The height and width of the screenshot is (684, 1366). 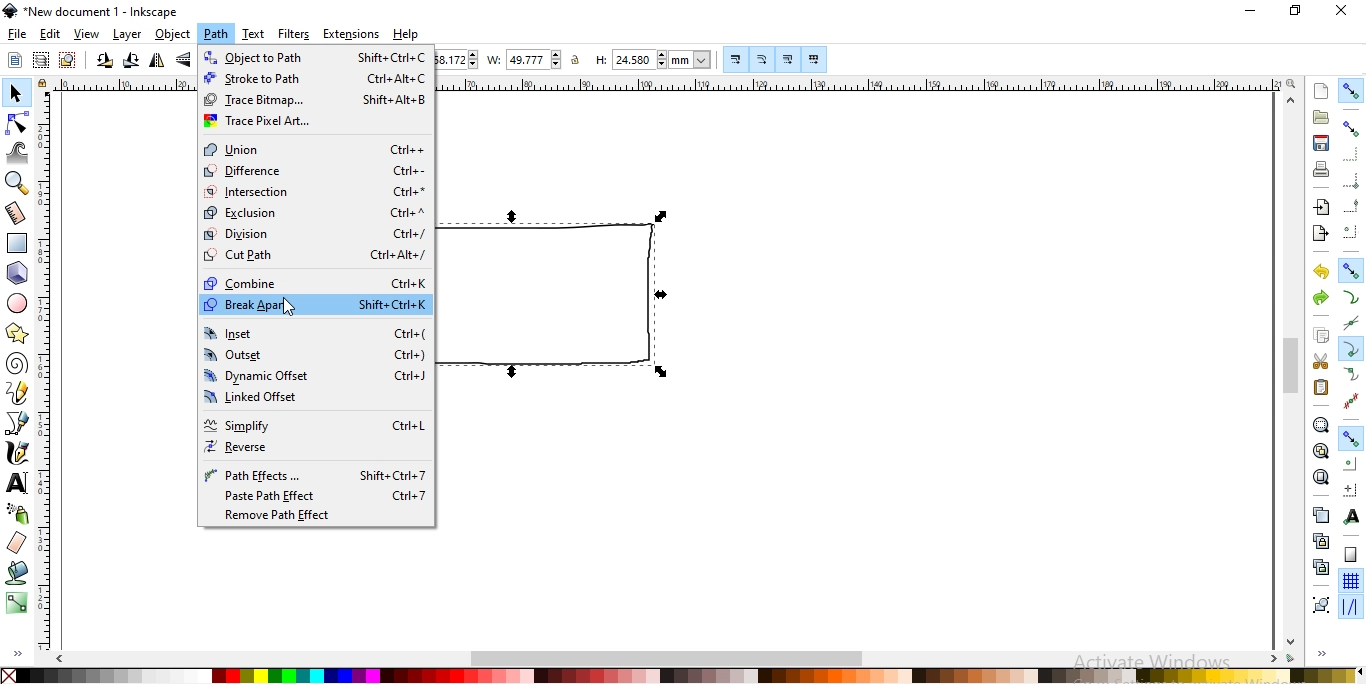 What do you see at coordinates (312, 451) in the screenshot?
I see `verse` at bounding box center [312, 451].